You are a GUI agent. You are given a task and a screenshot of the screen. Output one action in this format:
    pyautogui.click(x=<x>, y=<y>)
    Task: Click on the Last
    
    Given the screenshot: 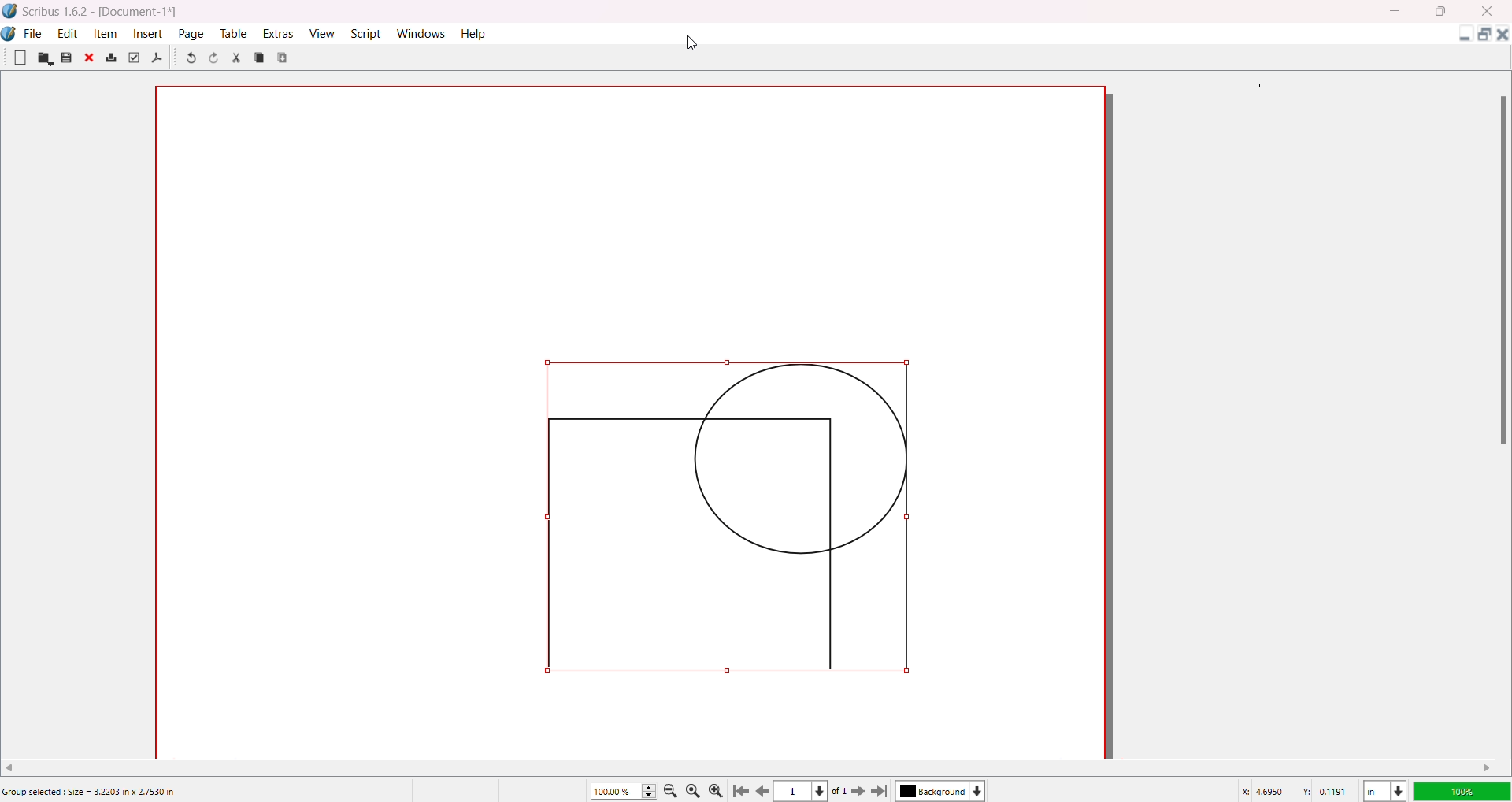 What is the action you would take?
    pyautogui.click(x=881, y=790)
    